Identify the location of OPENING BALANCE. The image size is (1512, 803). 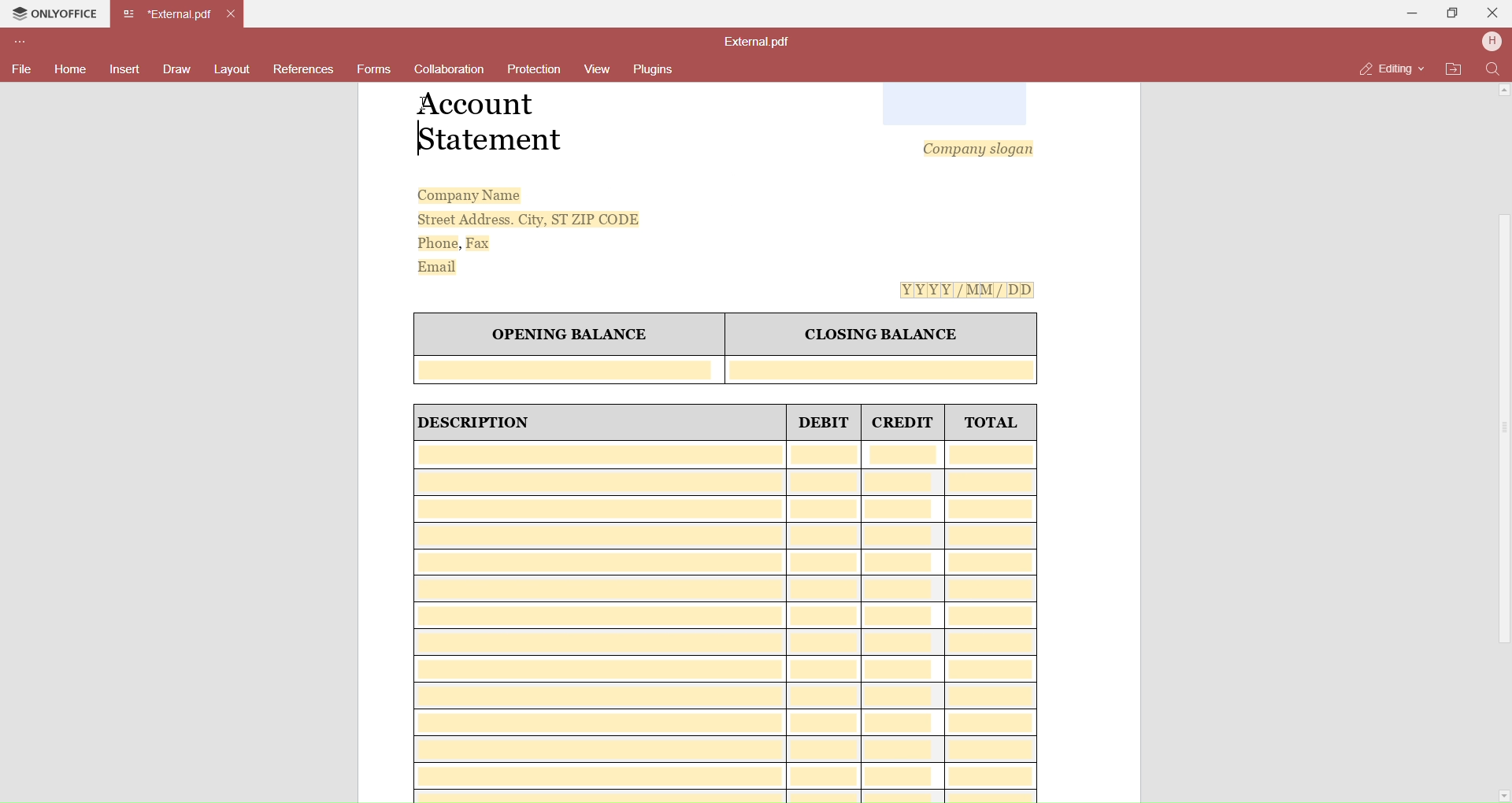
(569, 335).